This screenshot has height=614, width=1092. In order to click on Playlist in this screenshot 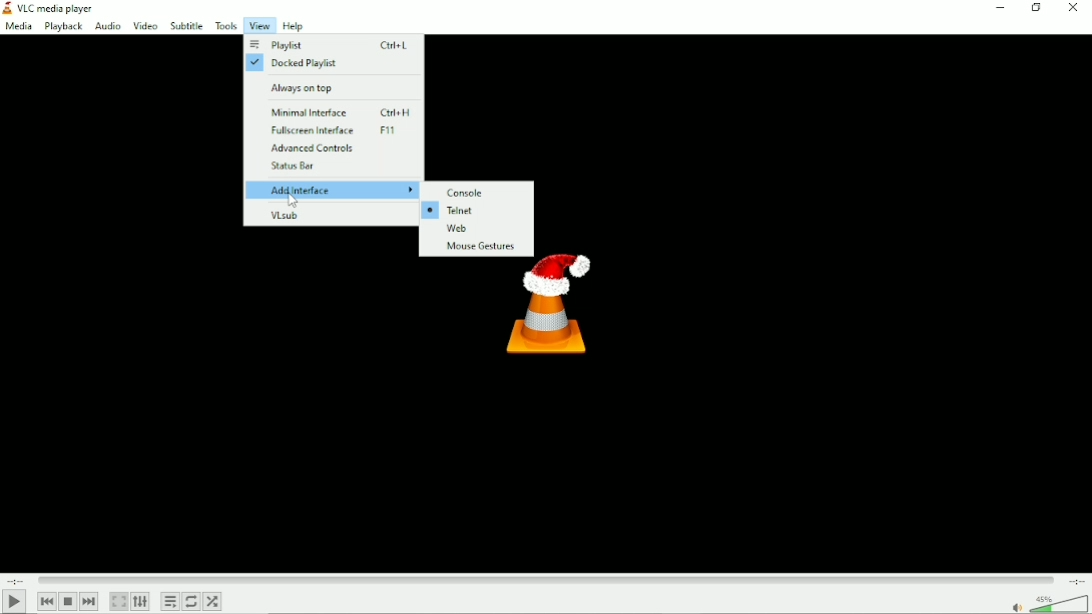, I will do `click(330, 46)`.